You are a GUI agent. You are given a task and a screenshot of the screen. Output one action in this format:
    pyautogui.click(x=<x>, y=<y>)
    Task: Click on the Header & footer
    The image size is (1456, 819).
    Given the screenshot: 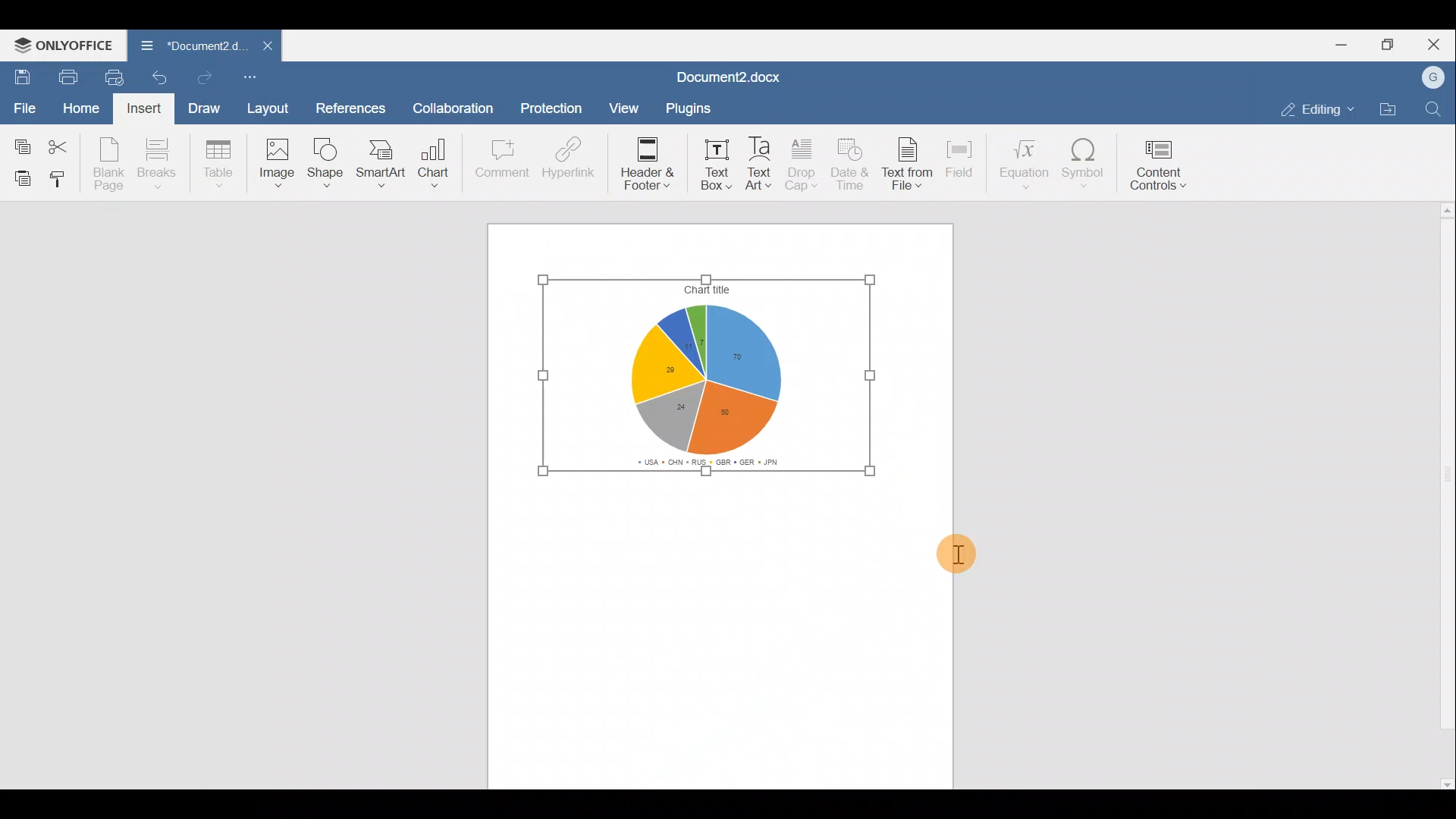 What is the action you would take?
    pyautogui.click(x=647, y=162)
    